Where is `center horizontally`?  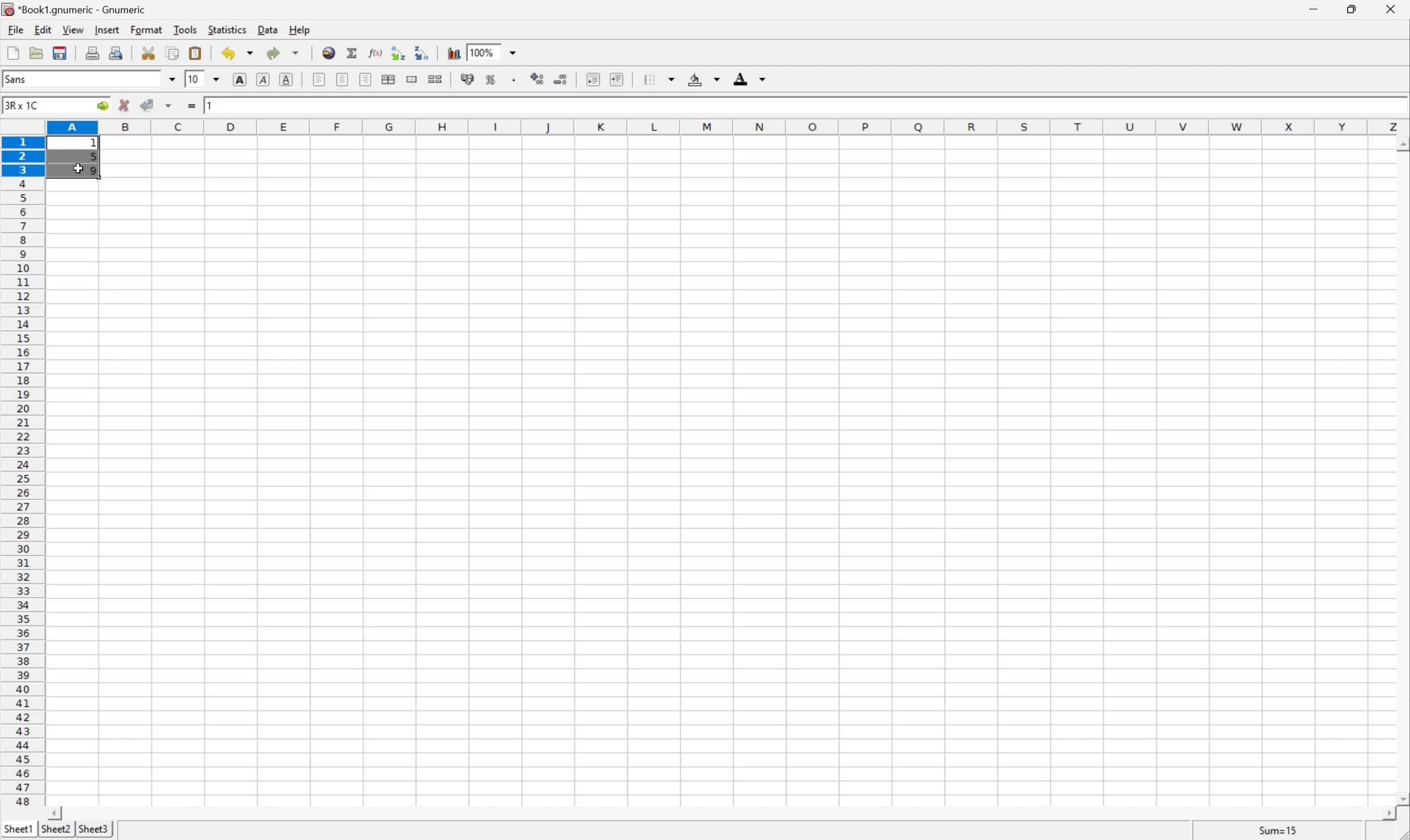
center horizontally is located at coordinates (390, 78).